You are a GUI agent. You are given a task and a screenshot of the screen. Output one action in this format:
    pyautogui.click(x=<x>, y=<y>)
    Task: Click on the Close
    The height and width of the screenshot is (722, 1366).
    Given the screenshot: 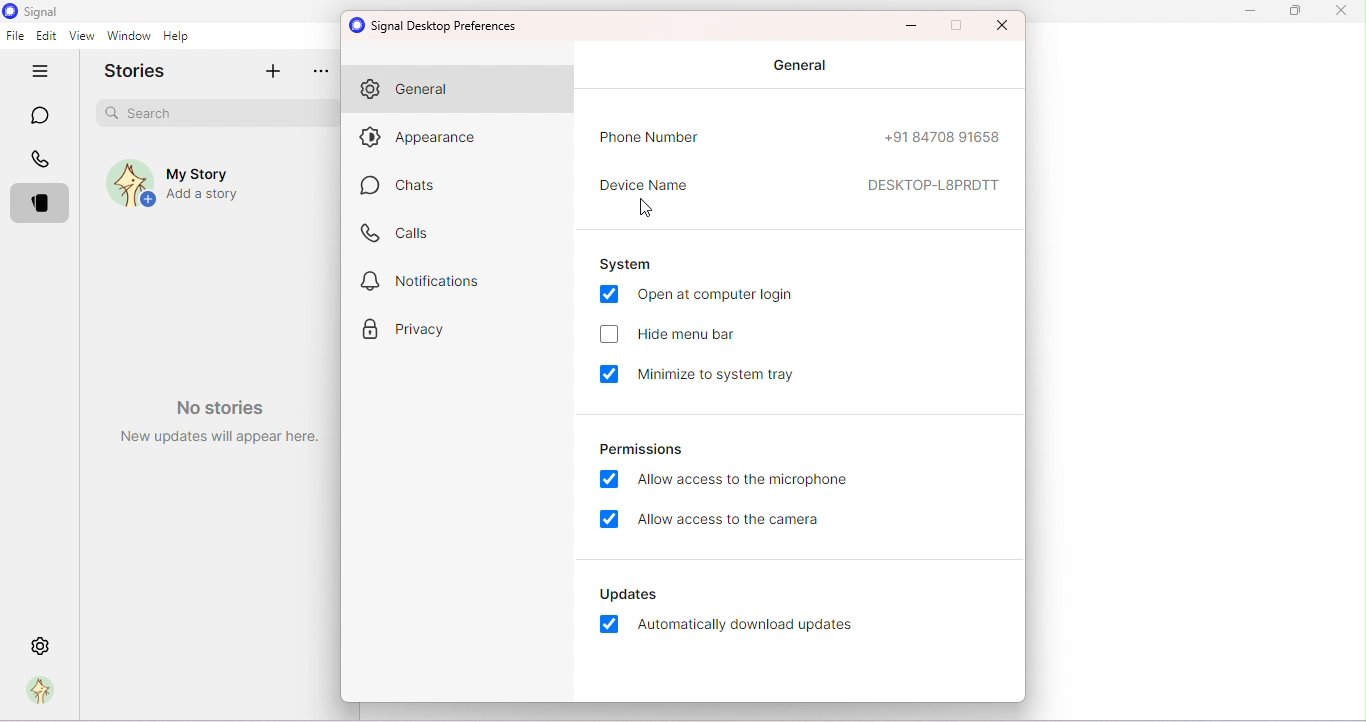 What is the action you would take?
    pyautogui.click(x=1339, y=12)
    